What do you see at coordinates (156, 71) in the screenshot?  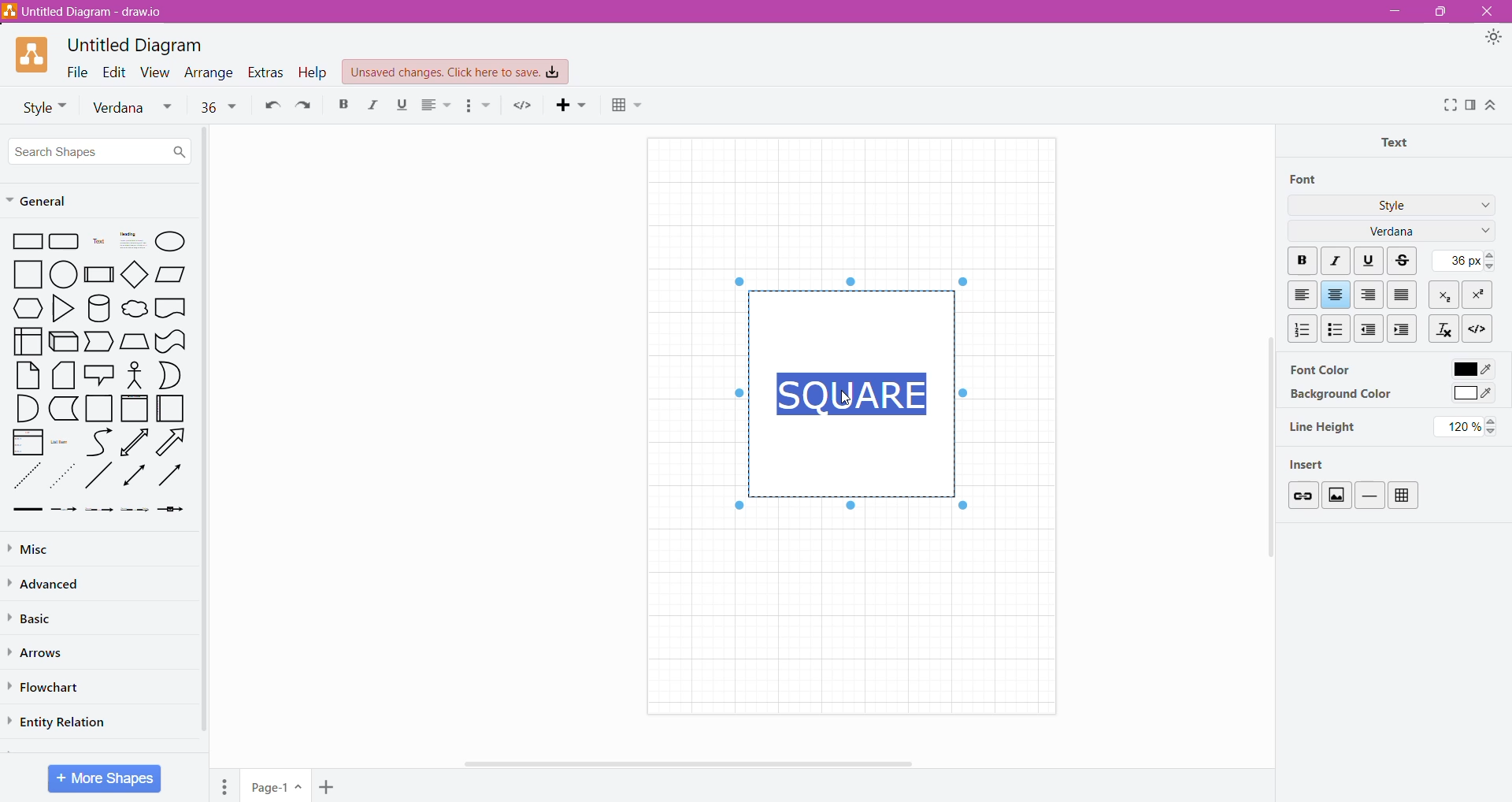 I see `View` at bounding box center [156, 71].